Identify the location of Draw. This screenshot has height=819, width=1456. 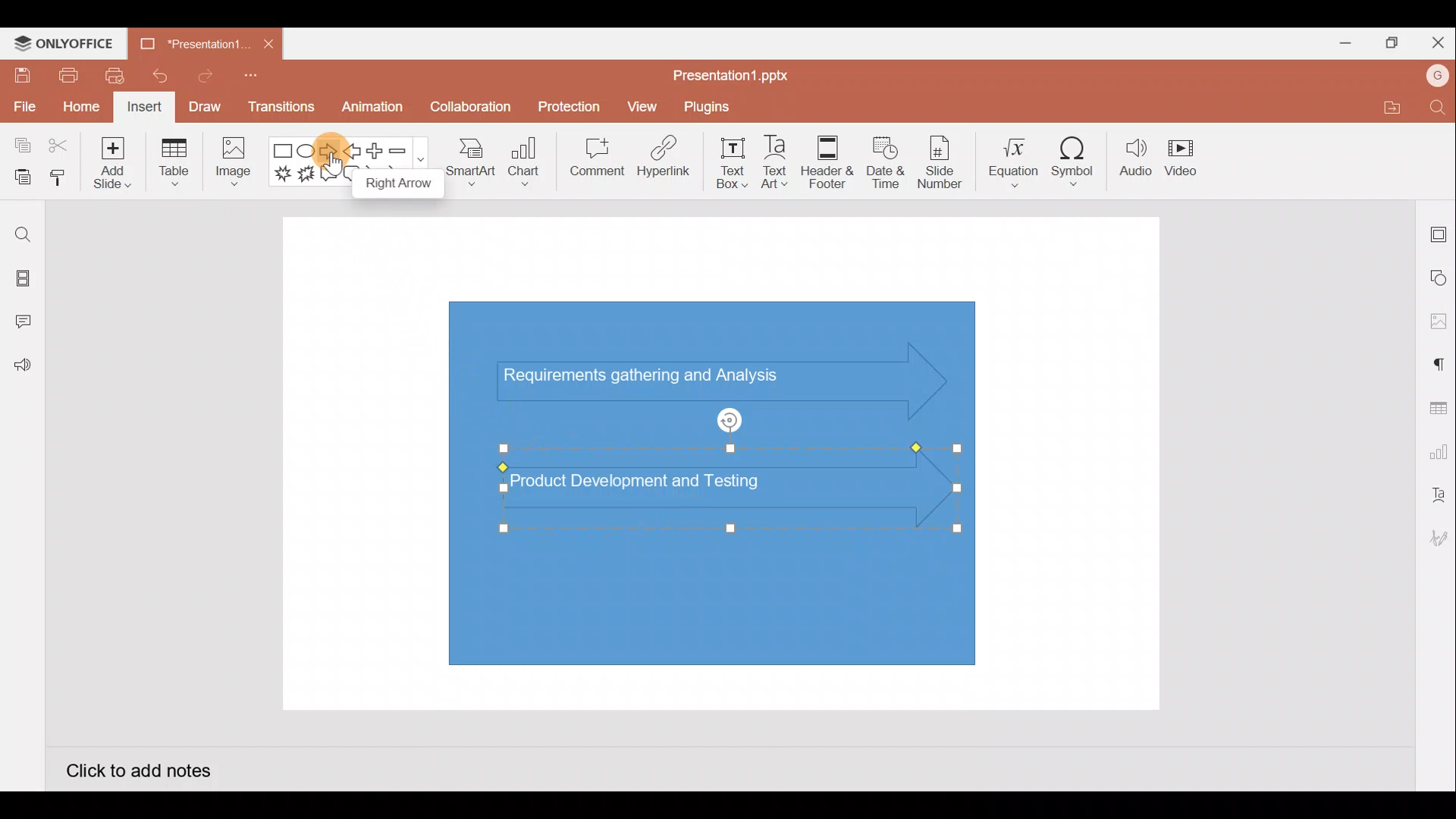
(204, 106).